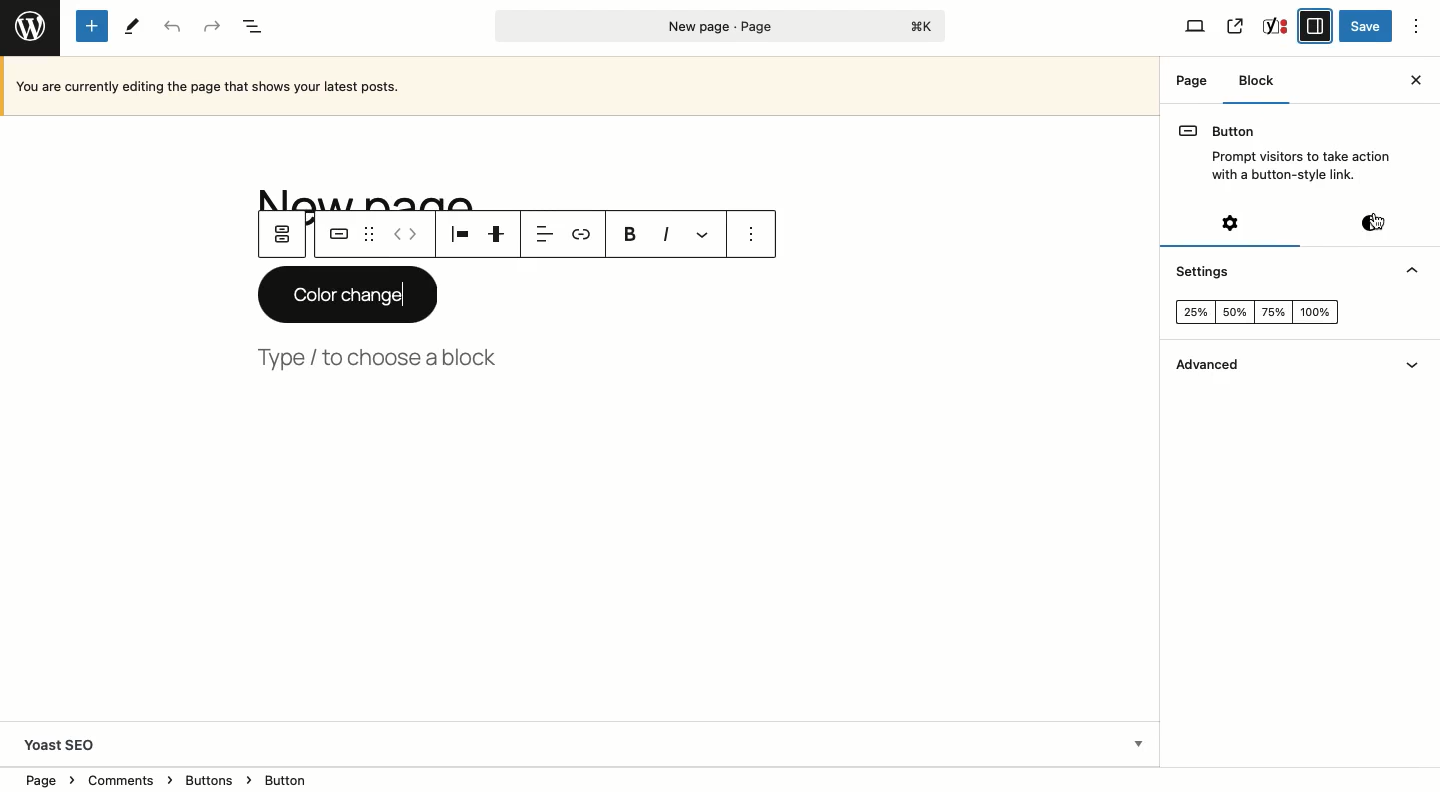 The width and height of the screenshot is (1440, 792). I want to click on Options, so click(1415, 26).